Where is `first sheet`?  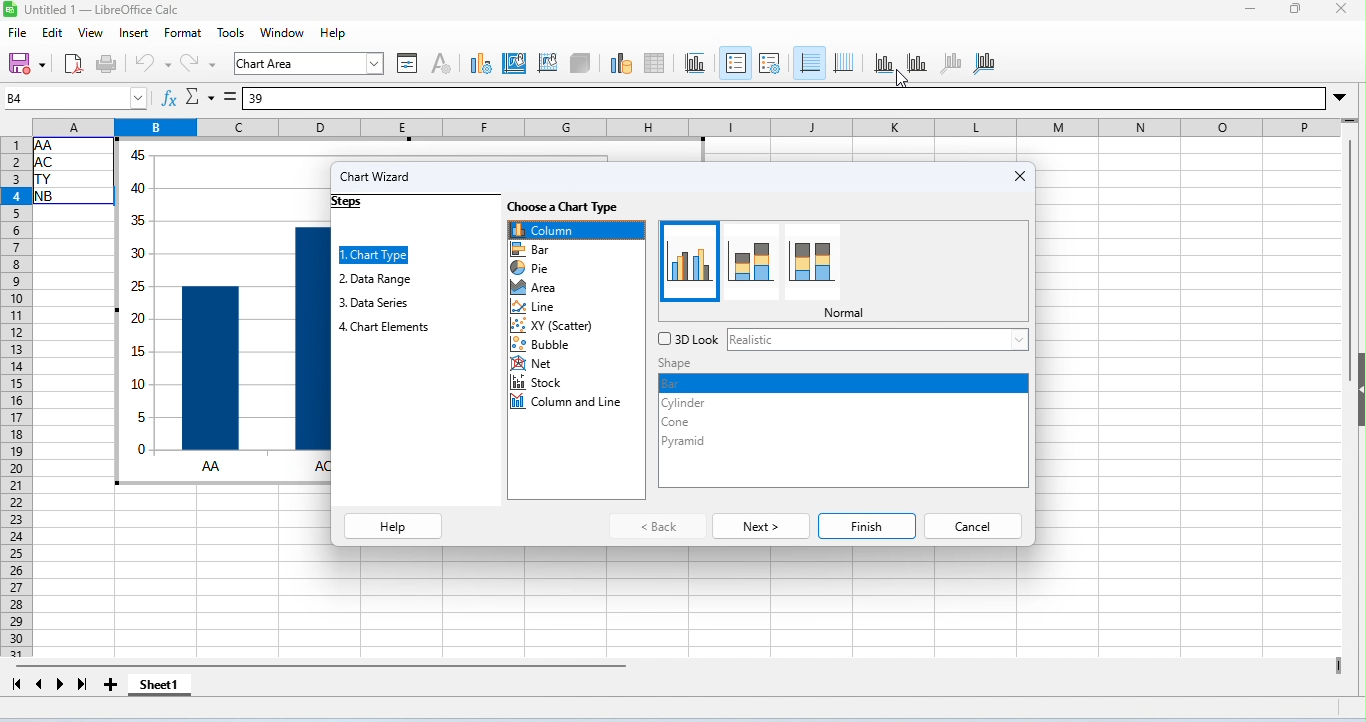
first sheet is located at coordinates (19, 684).